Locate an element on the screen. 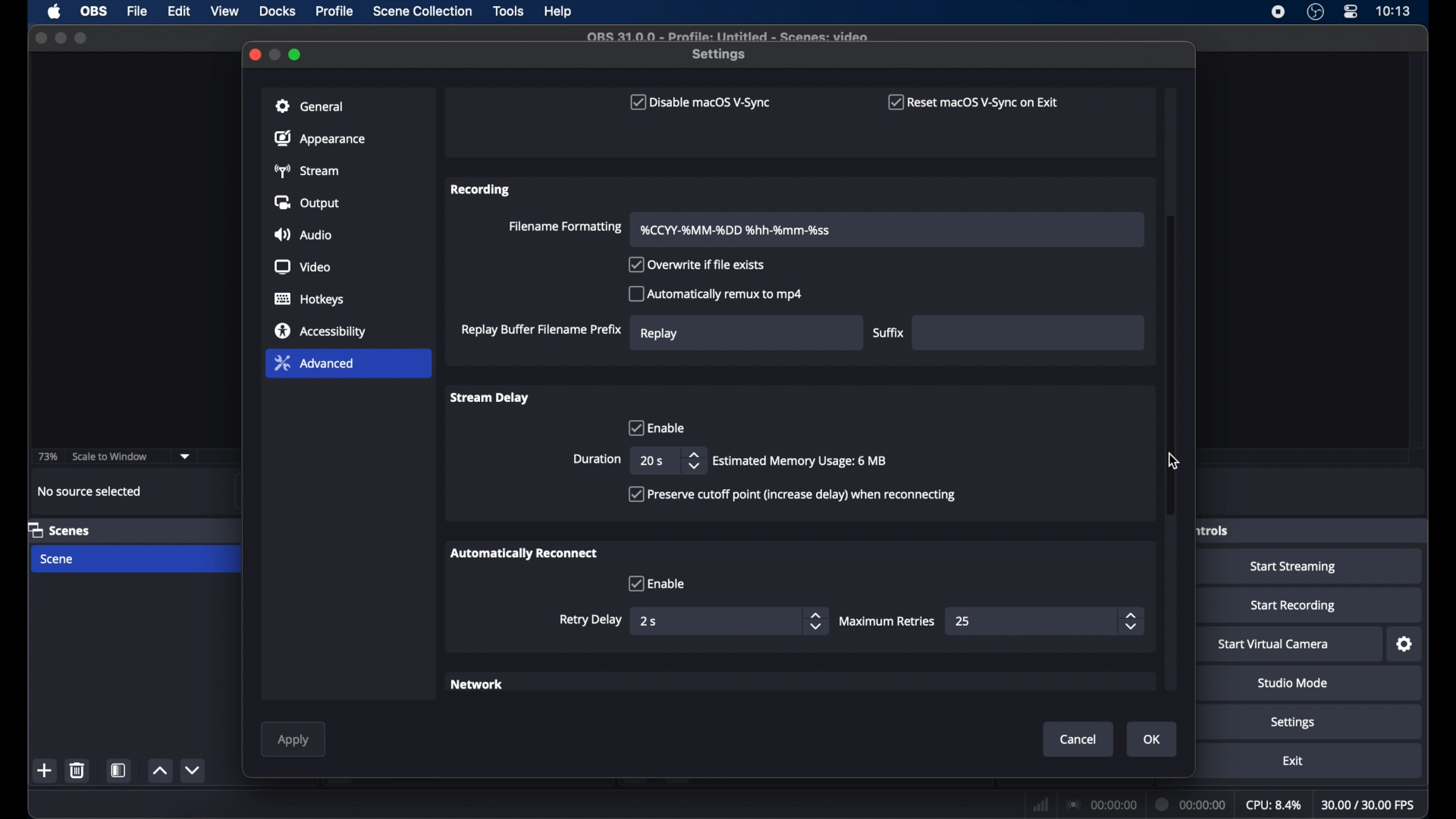 The height and width of the screenshot is (819, 1456). Filename format is located at coordinates (737, 230).